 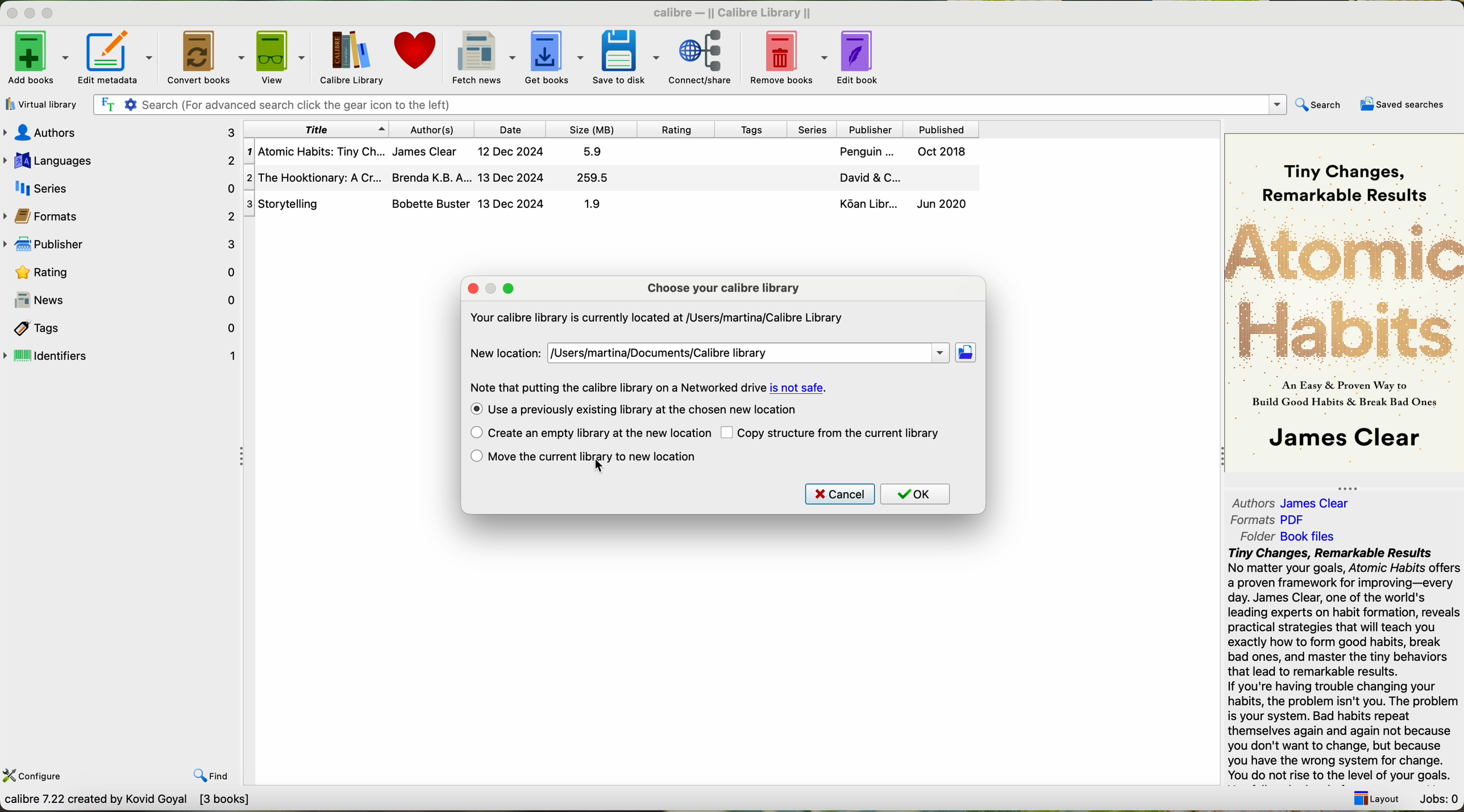 What do you see at coordinates (872, 128) in the screenshot?
I see `Publisher` at bounding box center [872, 128].